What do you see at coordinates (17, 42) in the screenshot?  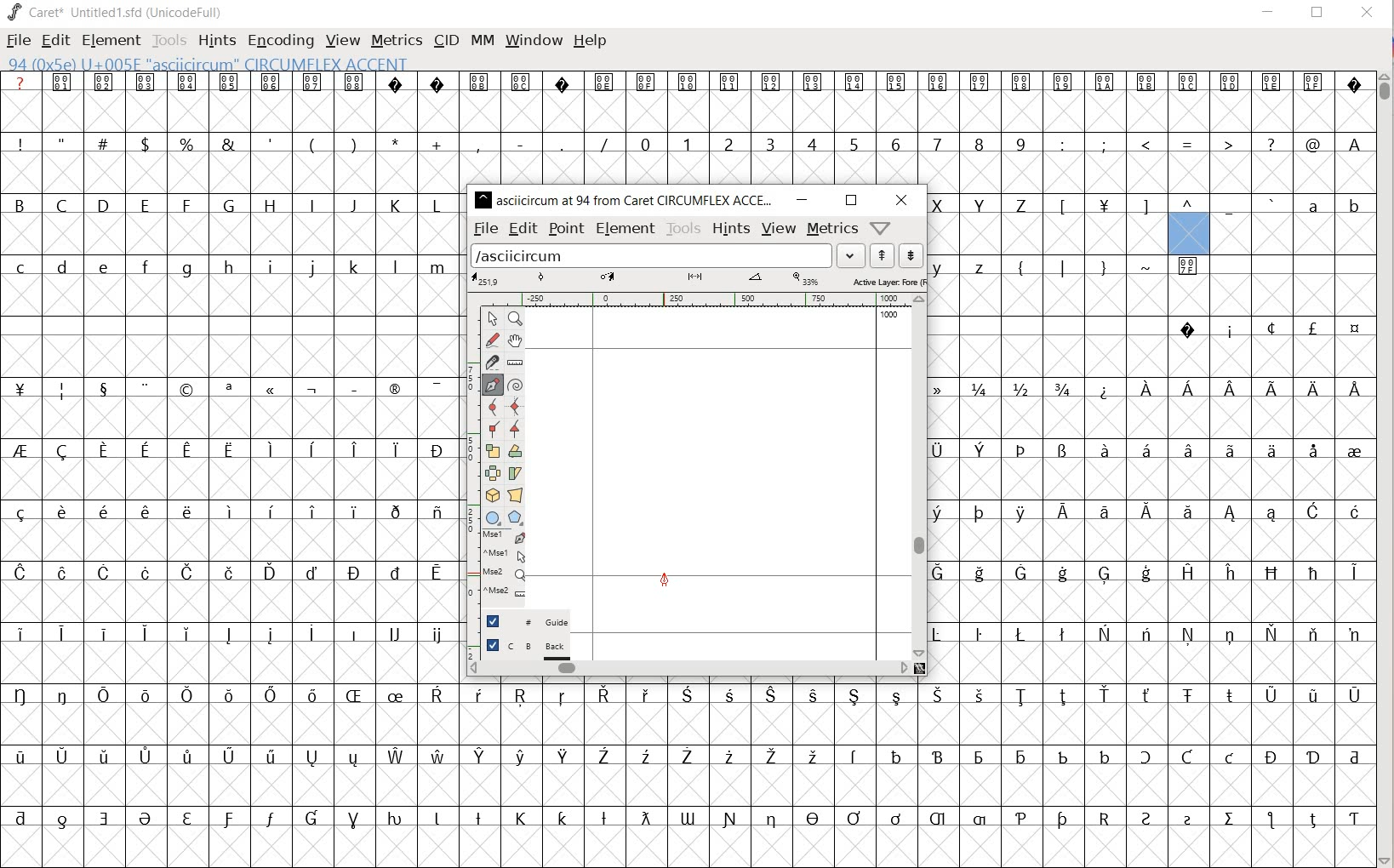 I see `FILE` at bounding box center [17, 42].